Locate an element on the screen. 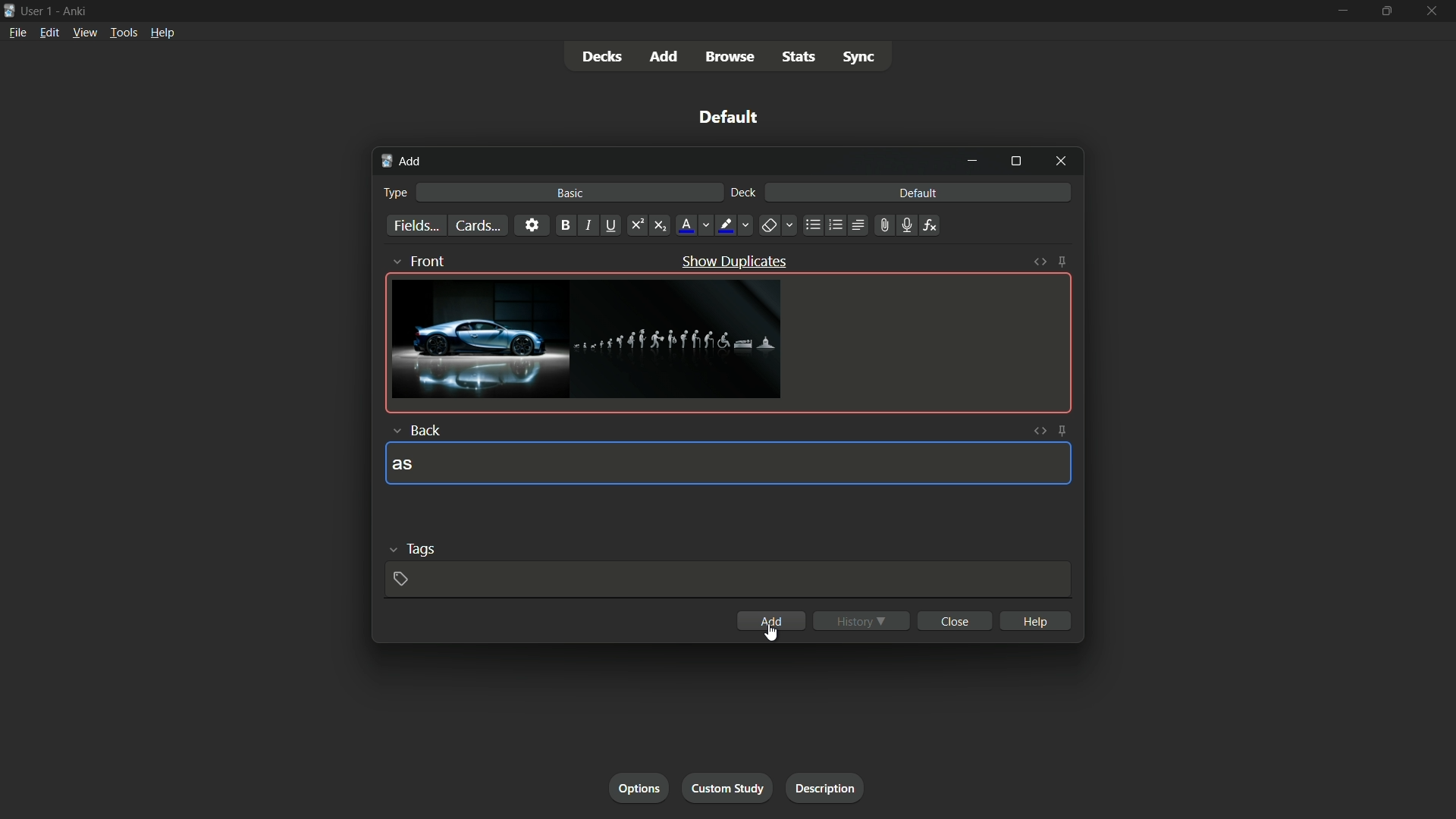 This screenshot has height=819, width=1456. description is located at coordinates (822, 786).